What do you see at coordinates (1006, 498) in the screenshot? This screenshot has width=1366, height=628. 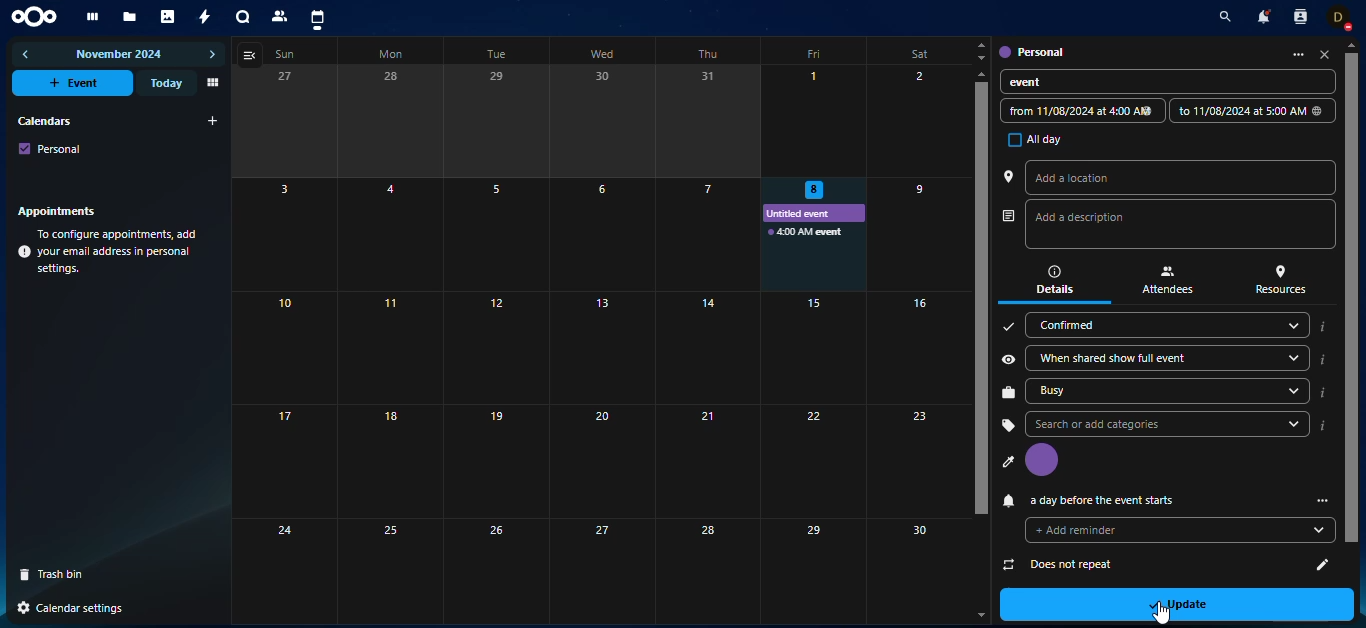 I see `reminder` at bounding box center [1006, 498].